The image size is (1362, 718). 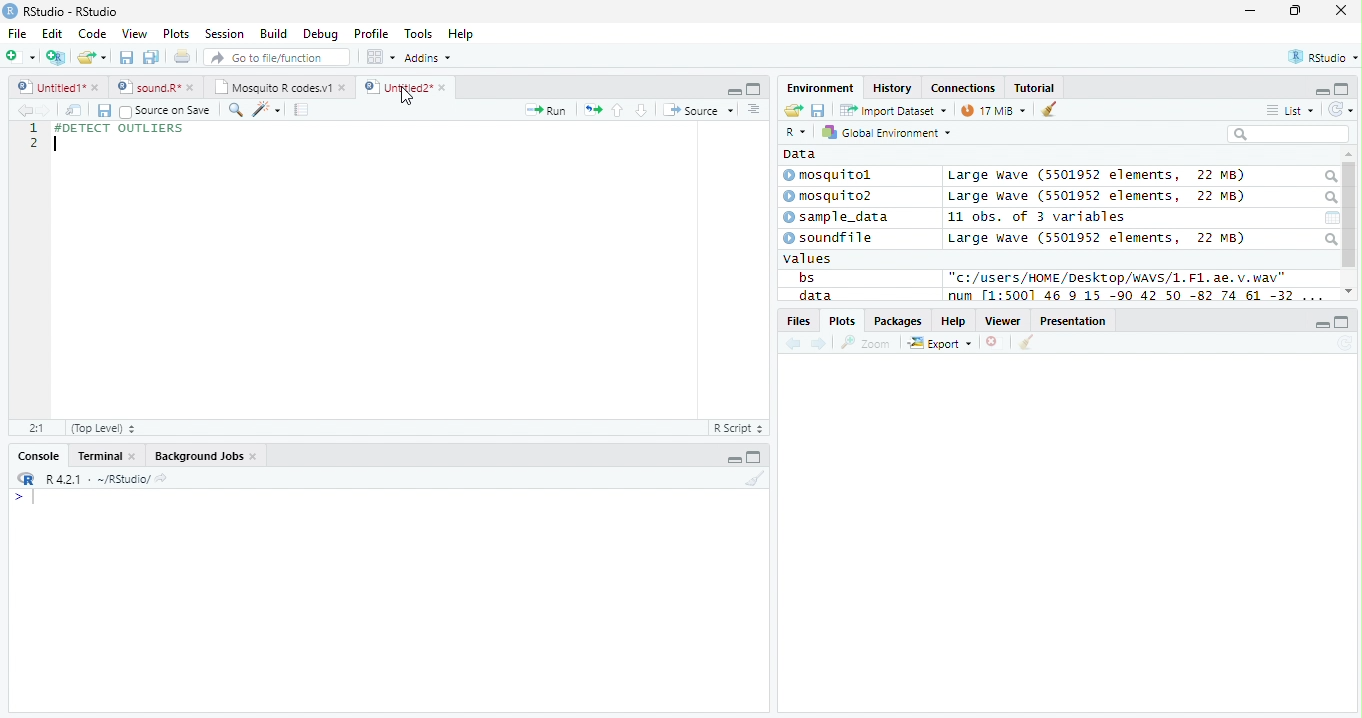 What do you see at coordinates (1037, 217) in the screenshot?
I see `11 obs. of 3 variables` at bounding box center [1037, 217].